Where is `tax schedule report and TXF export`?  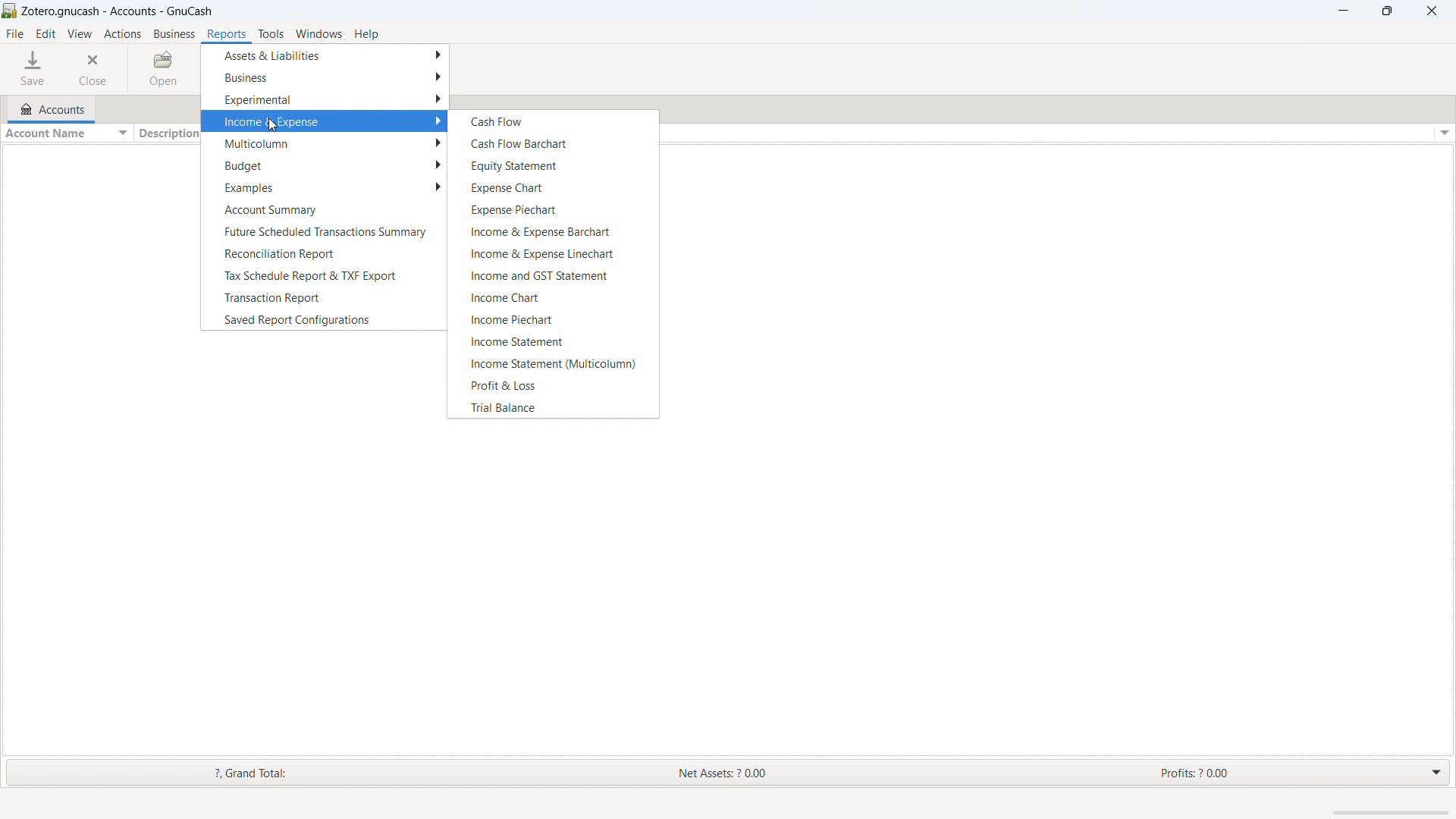 tax schedule report and TXF export is located at coordinates (322, 275).